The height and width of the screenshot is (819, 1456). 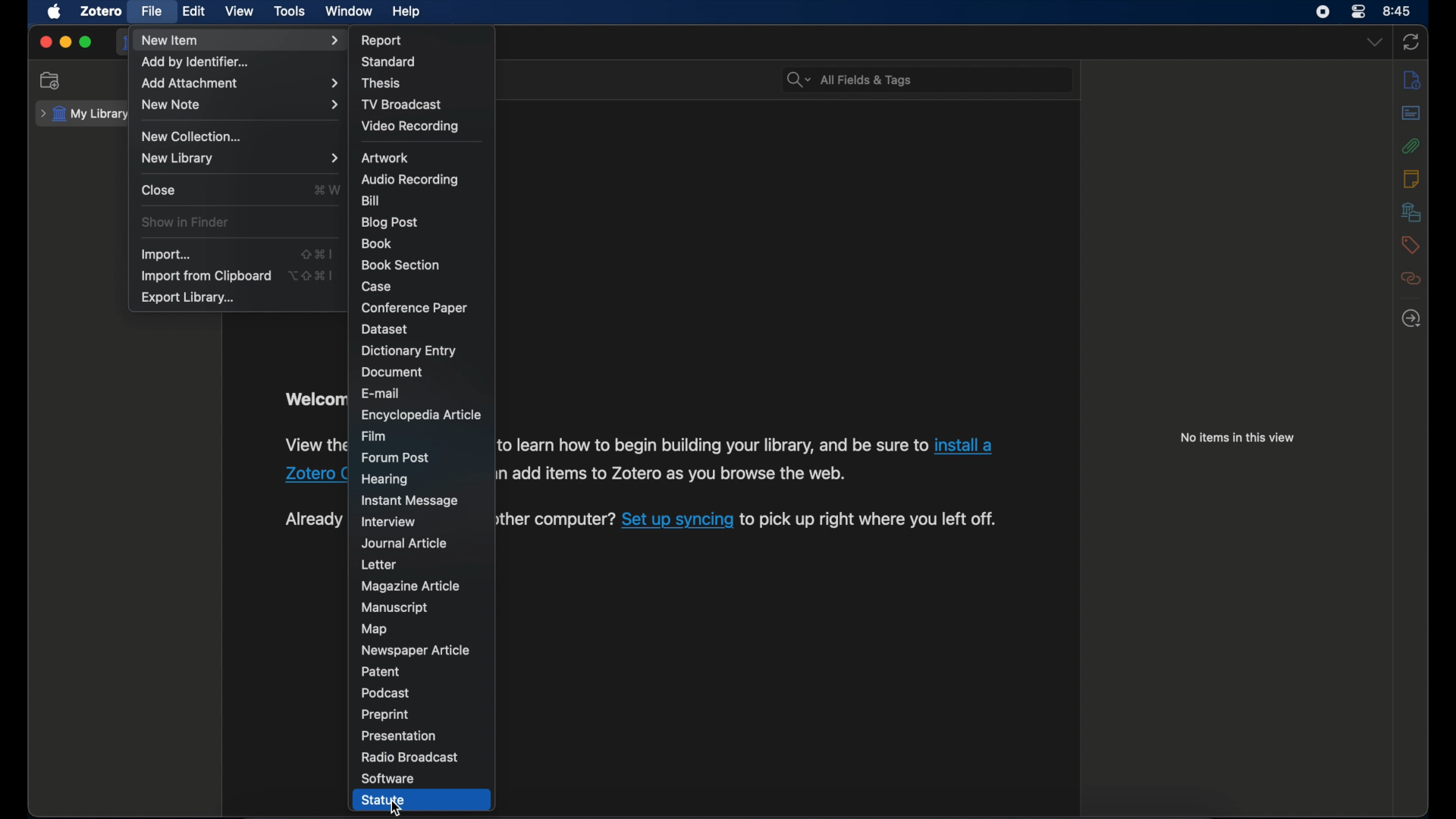 What do you see at coordinates (315, 253) in the screenshot?
I see `shortcut` at bounding box center [315, 253].